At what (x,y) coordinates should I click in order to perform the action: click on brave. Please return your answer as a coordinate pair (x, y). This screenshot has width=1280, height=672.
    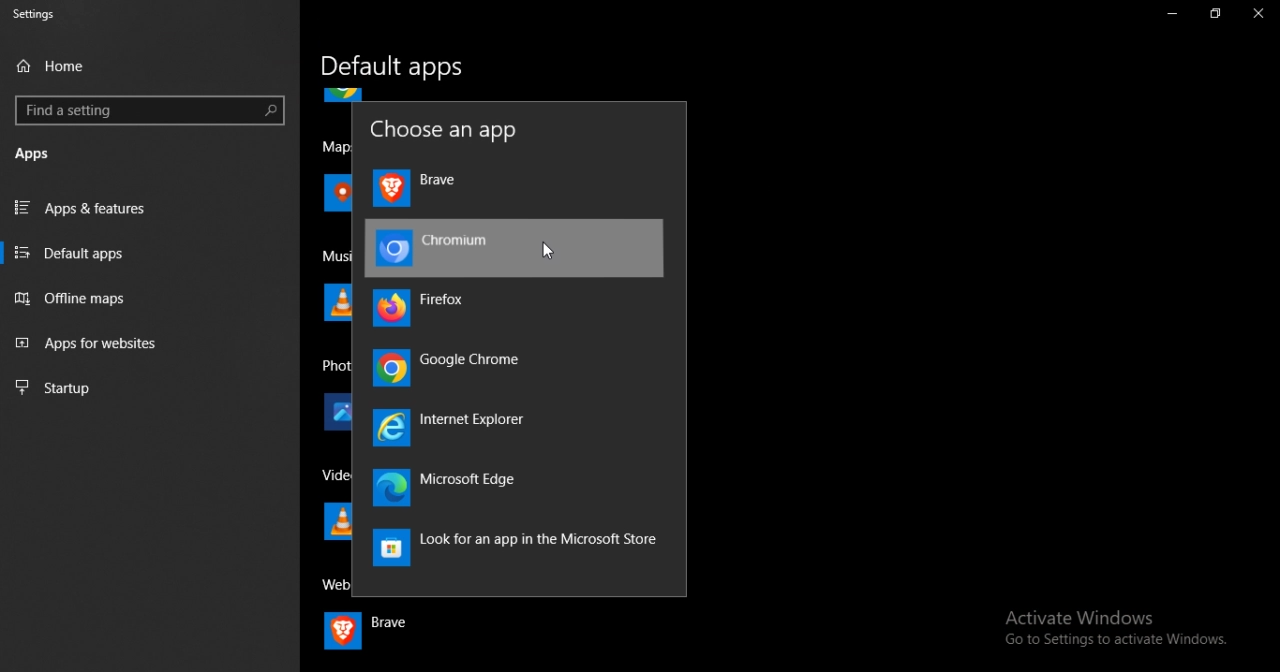
    Looking at the image, I should click on (368, 633).